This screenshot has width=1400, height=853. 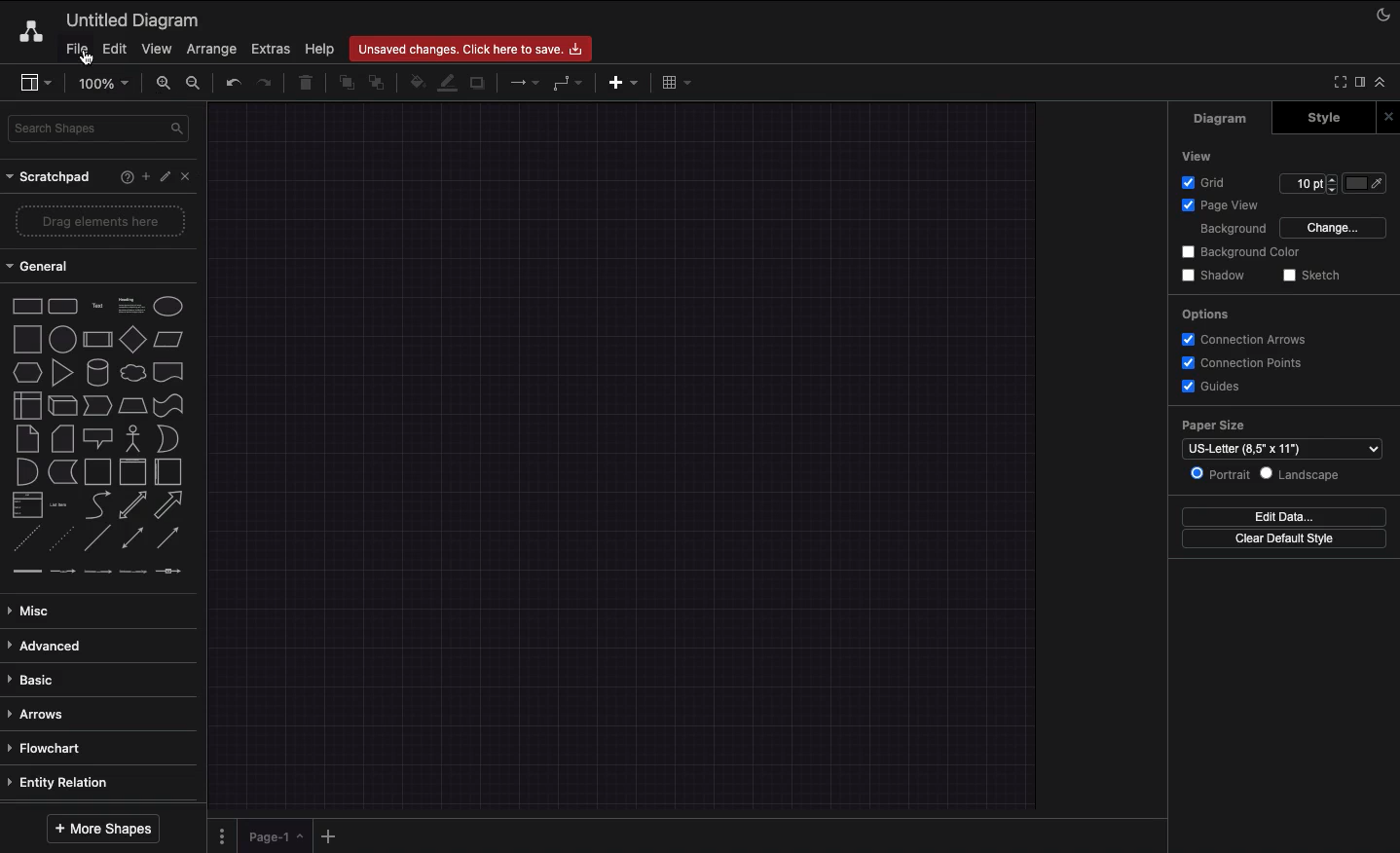 I want to click on Callout, so click(x=99, y=438).